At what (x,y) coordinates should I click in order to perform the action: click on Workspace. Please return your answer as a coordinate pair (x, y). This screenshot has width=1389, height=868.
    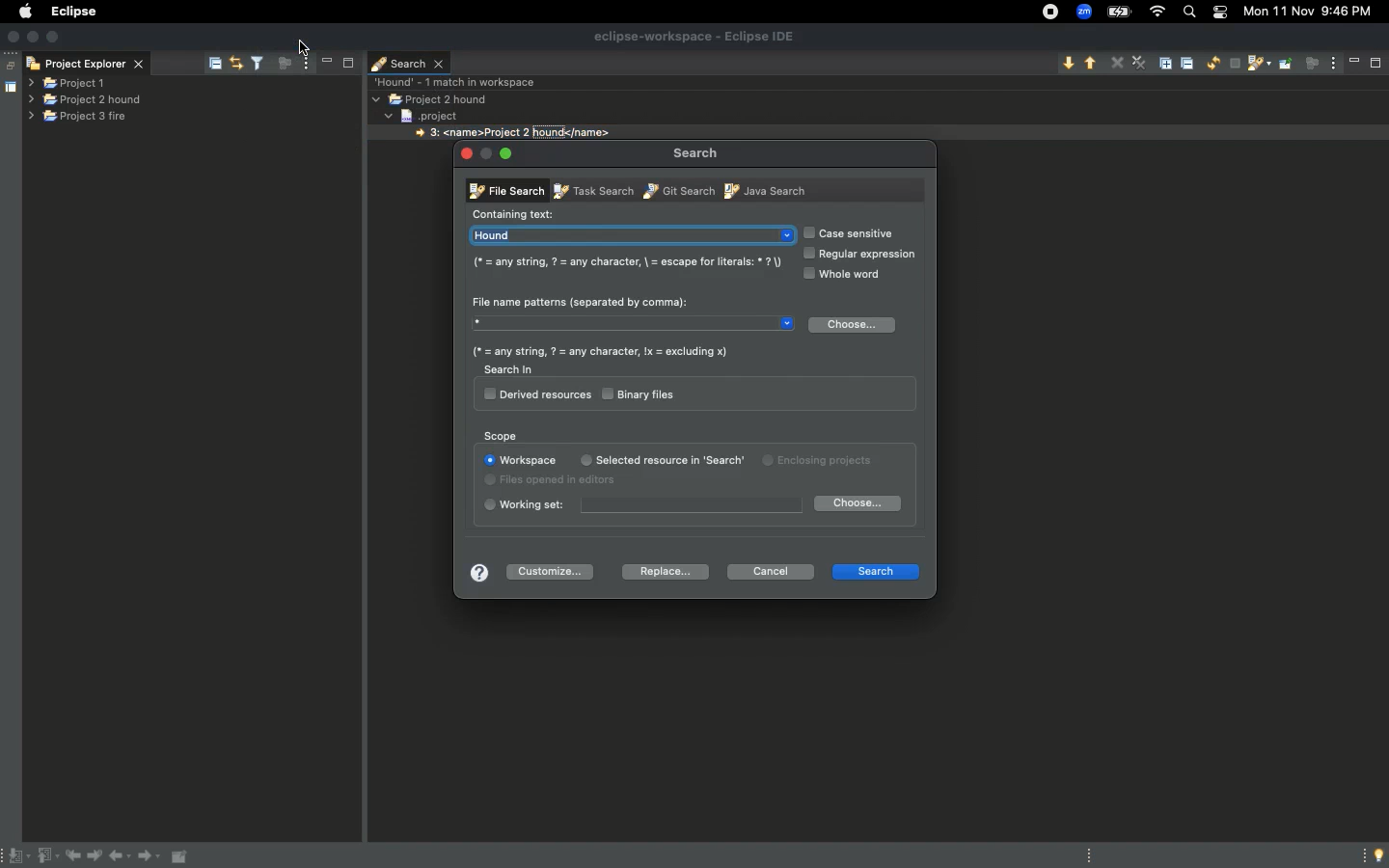
    Looking at the image, I should click on (519, 460).